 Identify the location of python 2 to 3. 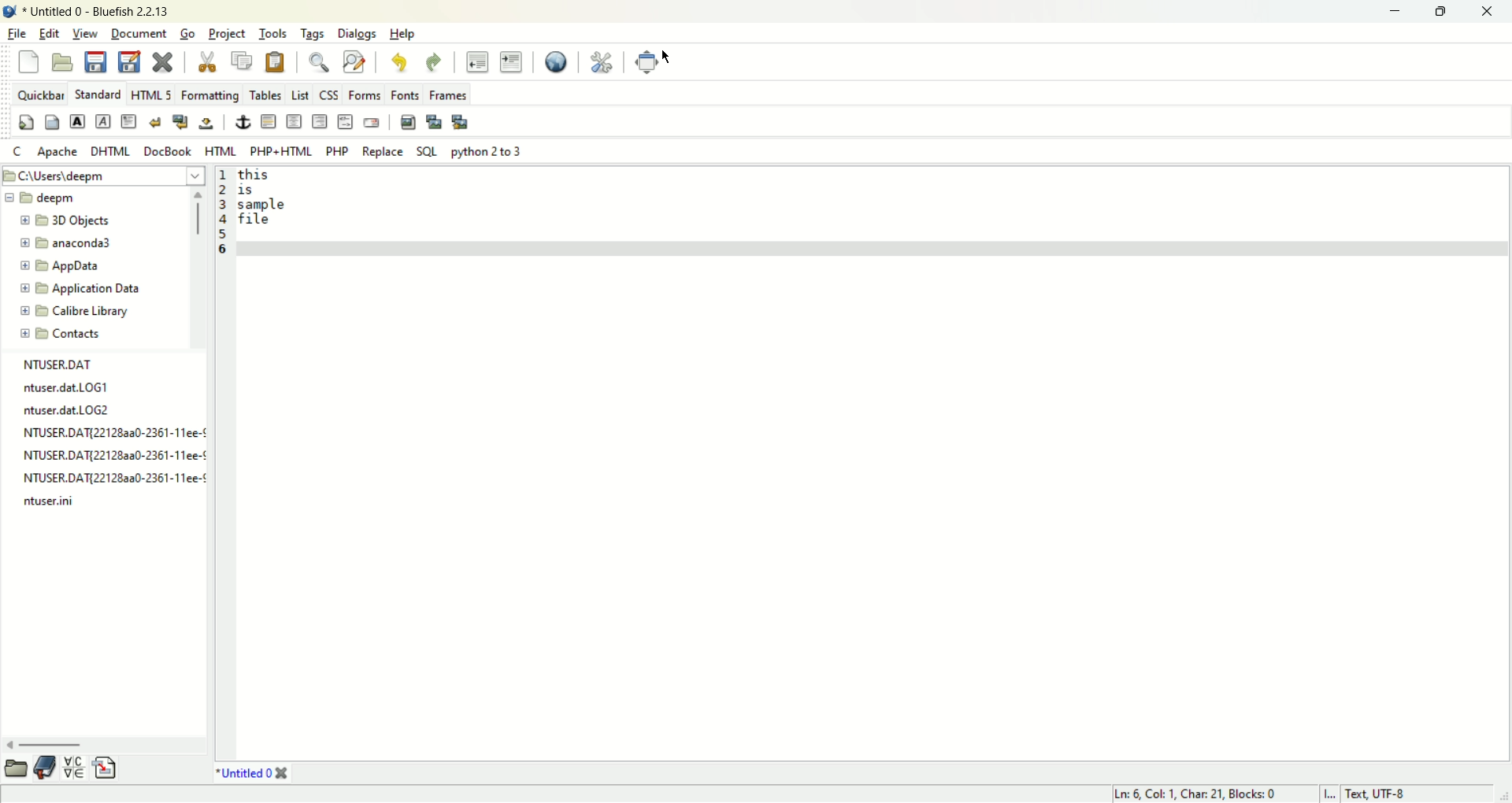
(487, 154).